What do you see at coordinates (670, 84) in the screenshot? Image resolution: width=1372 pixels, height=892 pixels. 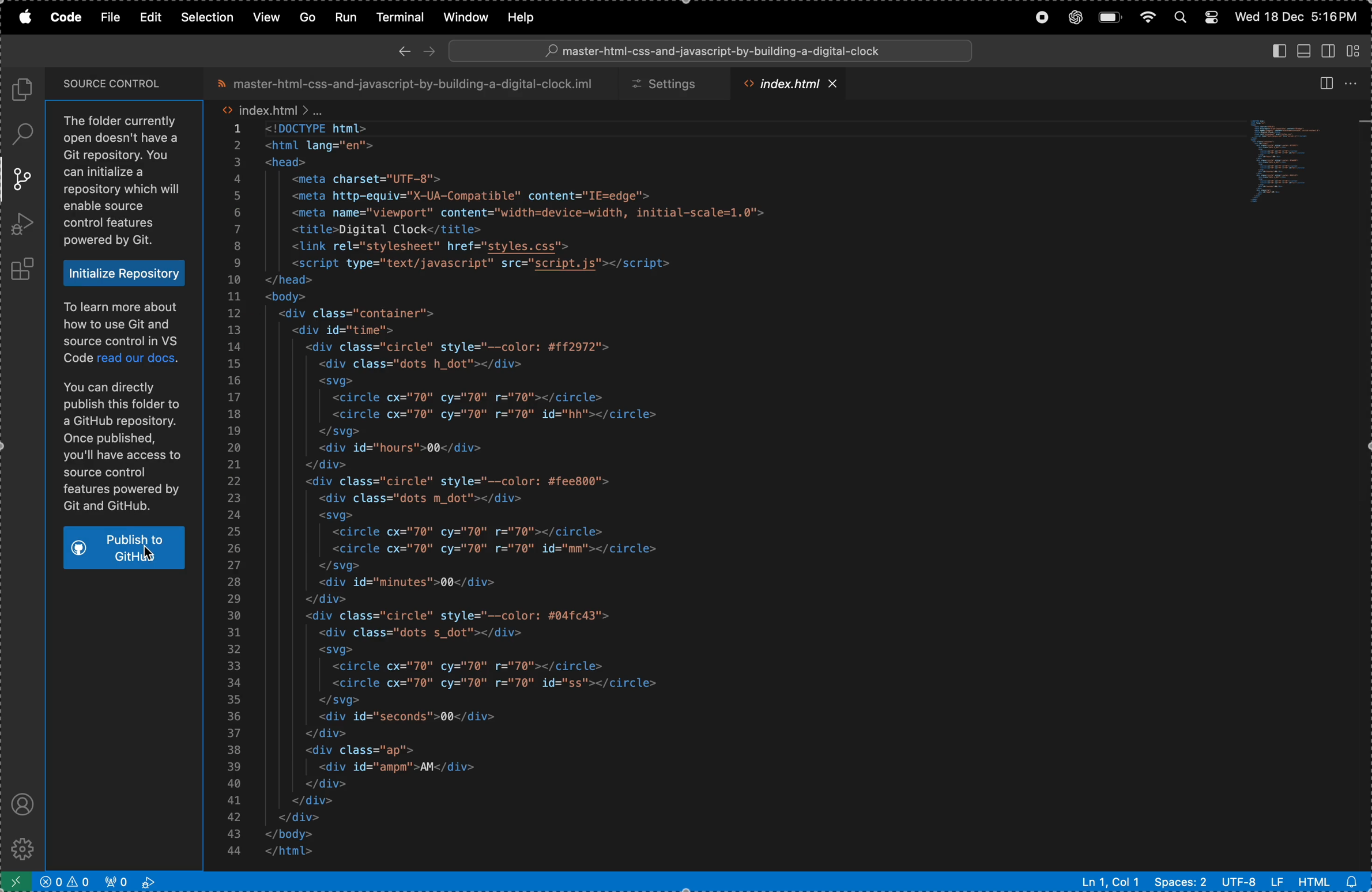 I see `settings` at bounding box center [670, 84].